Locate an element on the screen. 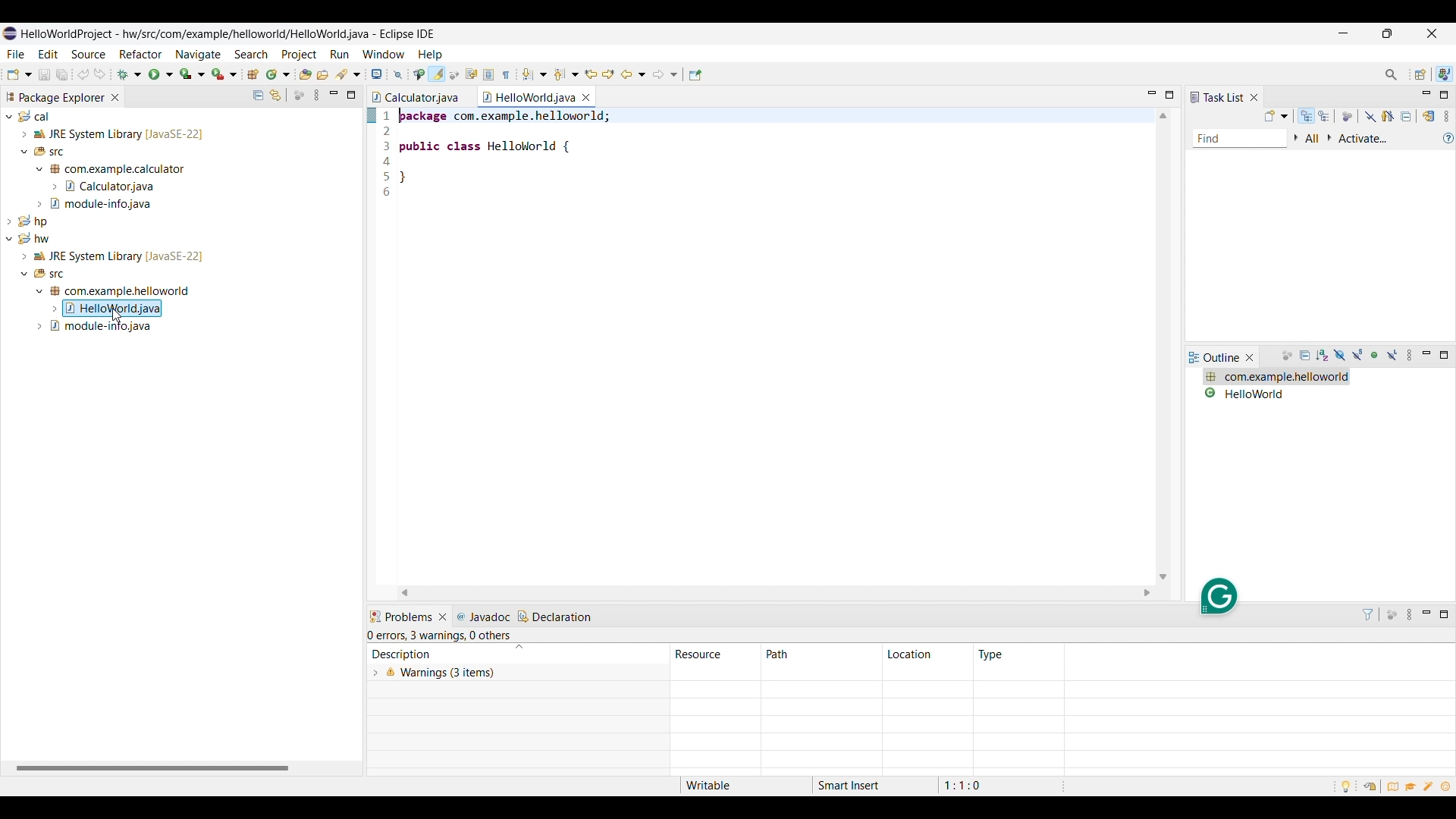  Toggle Java editor breadcrumb is located at coordinates (419, 75).